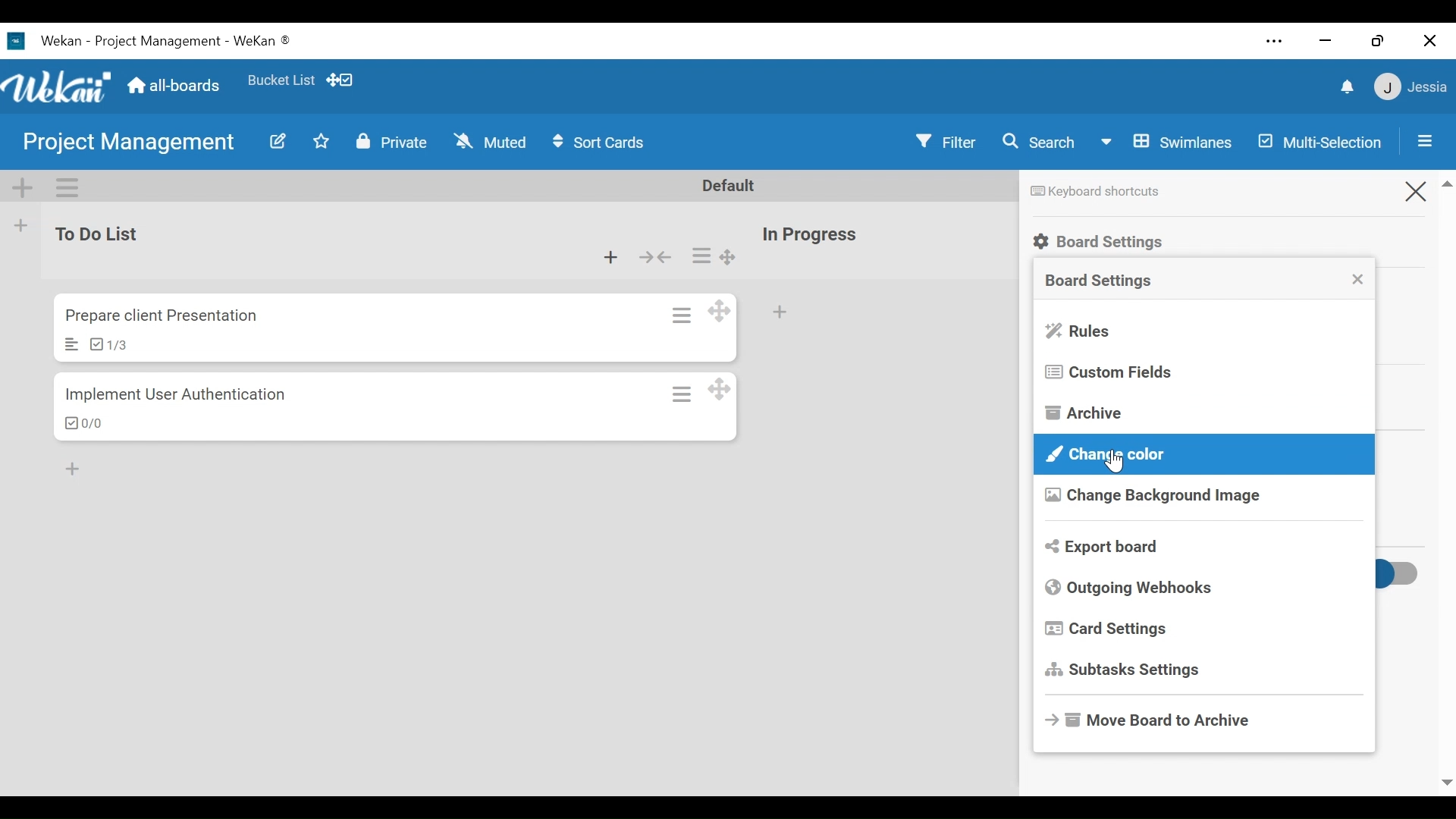  Describe the element at coordinates (103, 234) in the screenshot. I see `List Name` at that location.